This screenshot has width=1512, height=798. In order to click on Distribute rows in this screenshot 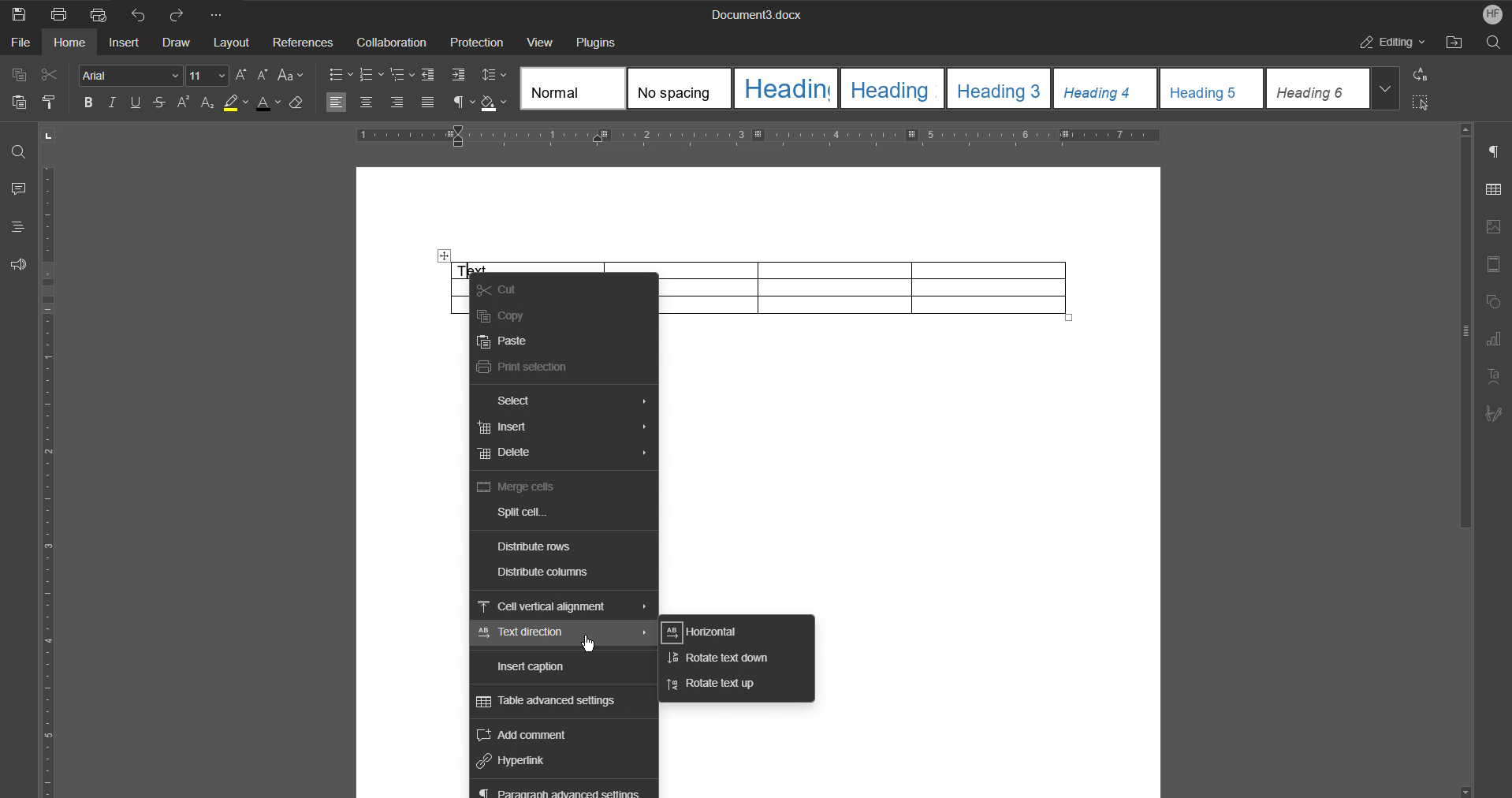, I will do `click(536, 546)`.